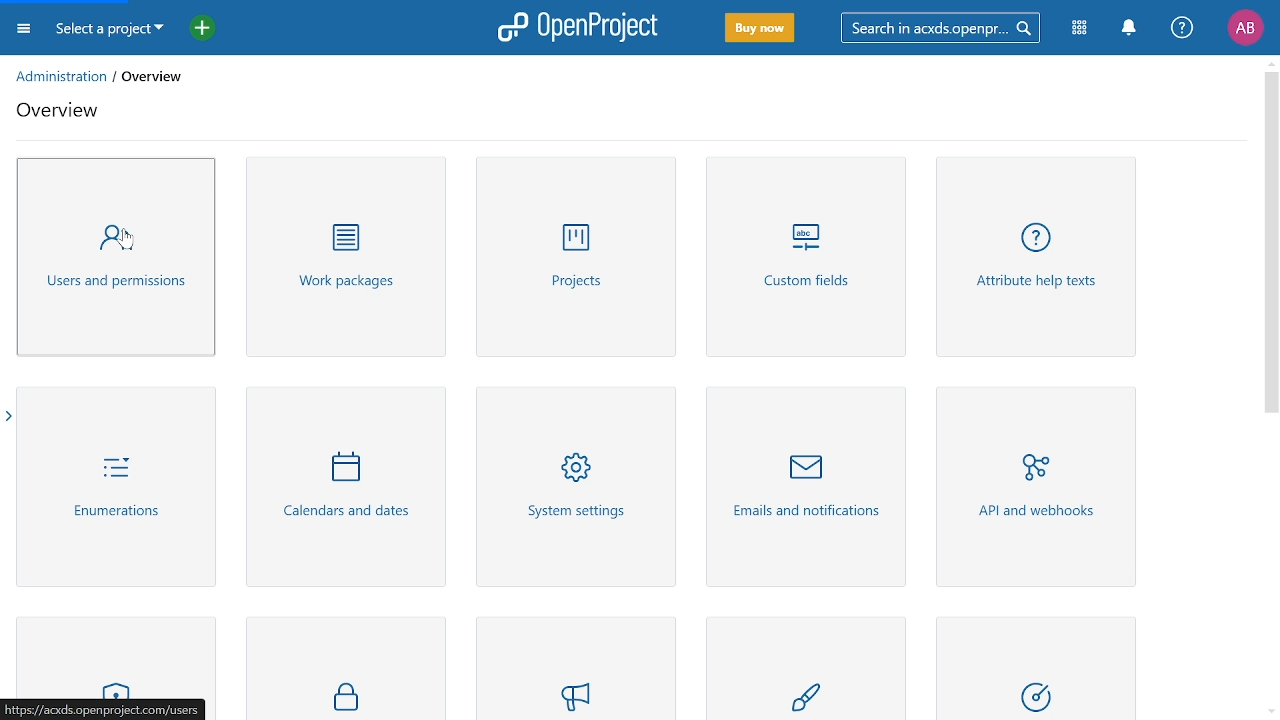 The height and width of the screenshot is (720, 1280). I want to click on current account "AB", so click(1245, 29).